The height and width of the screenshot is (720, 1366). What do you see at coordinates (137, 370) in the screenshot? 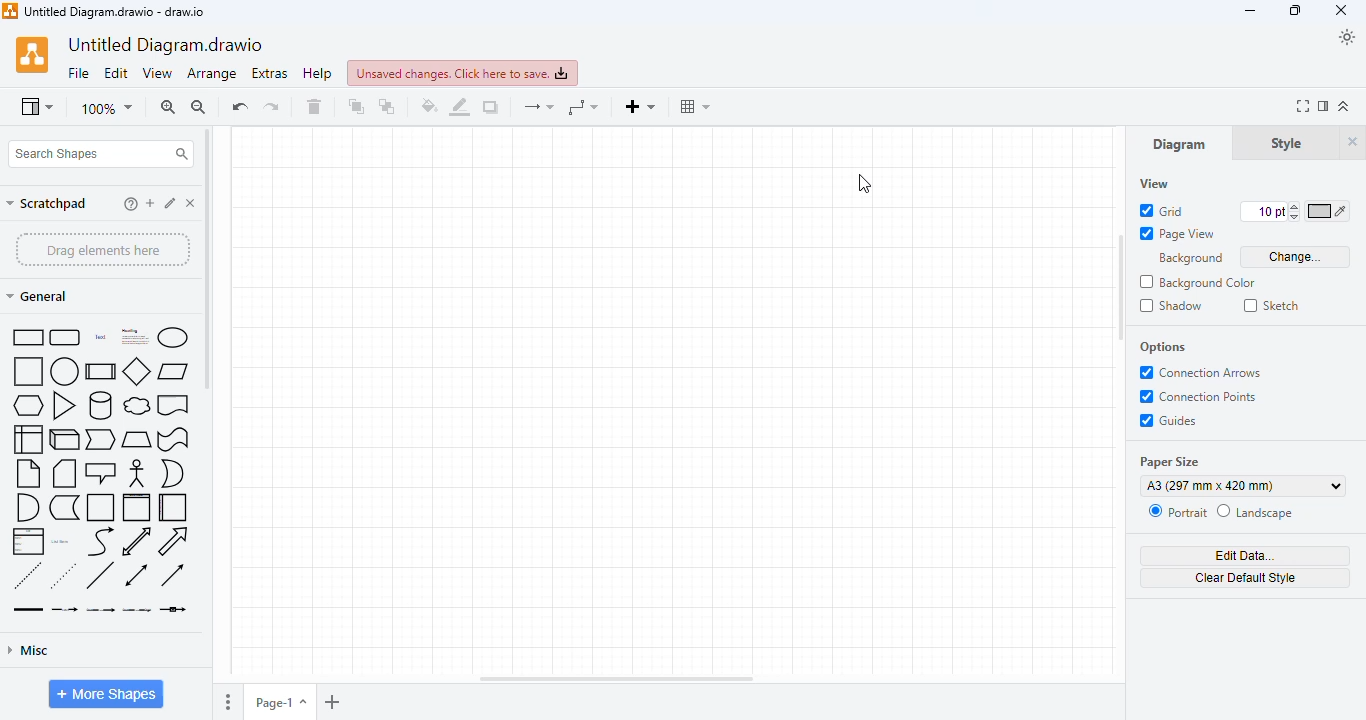
I see `diamond` at bounding box center [137, 370].